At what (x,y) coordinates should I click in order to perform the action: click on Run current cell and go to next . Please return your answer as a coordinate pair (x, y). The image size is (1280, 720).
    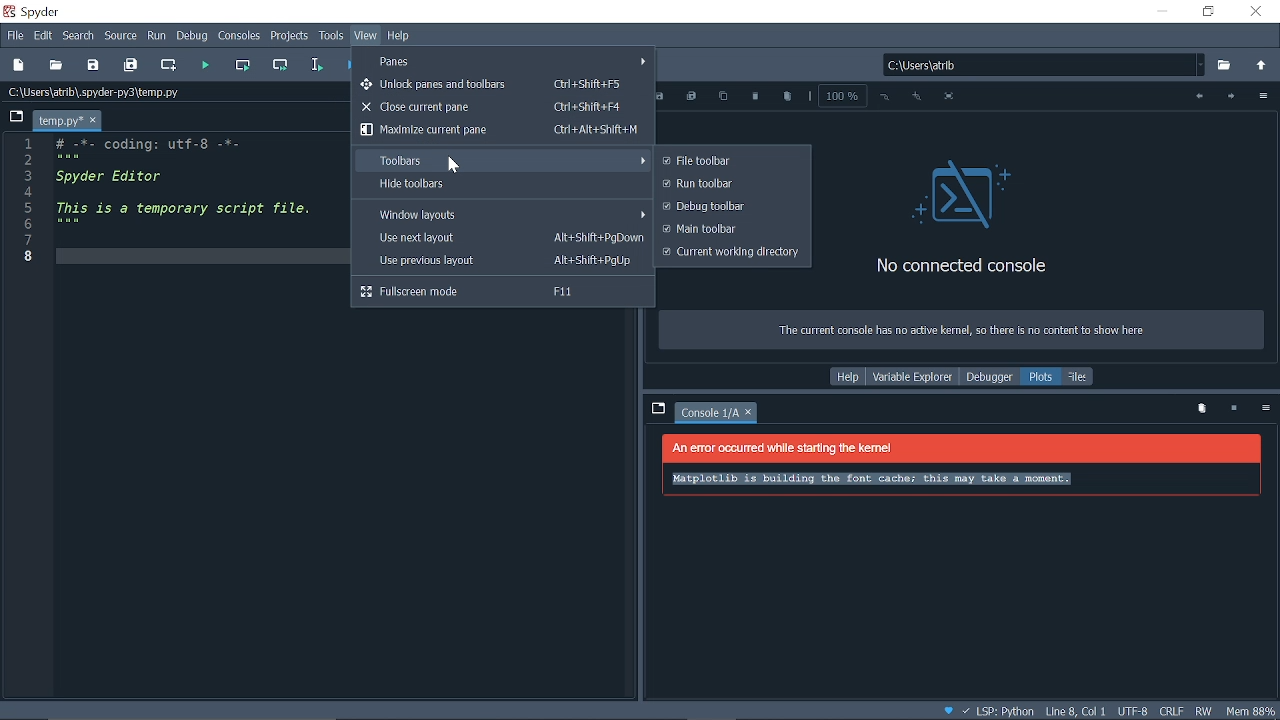
    Looking at the image, I should click on (283, 65).